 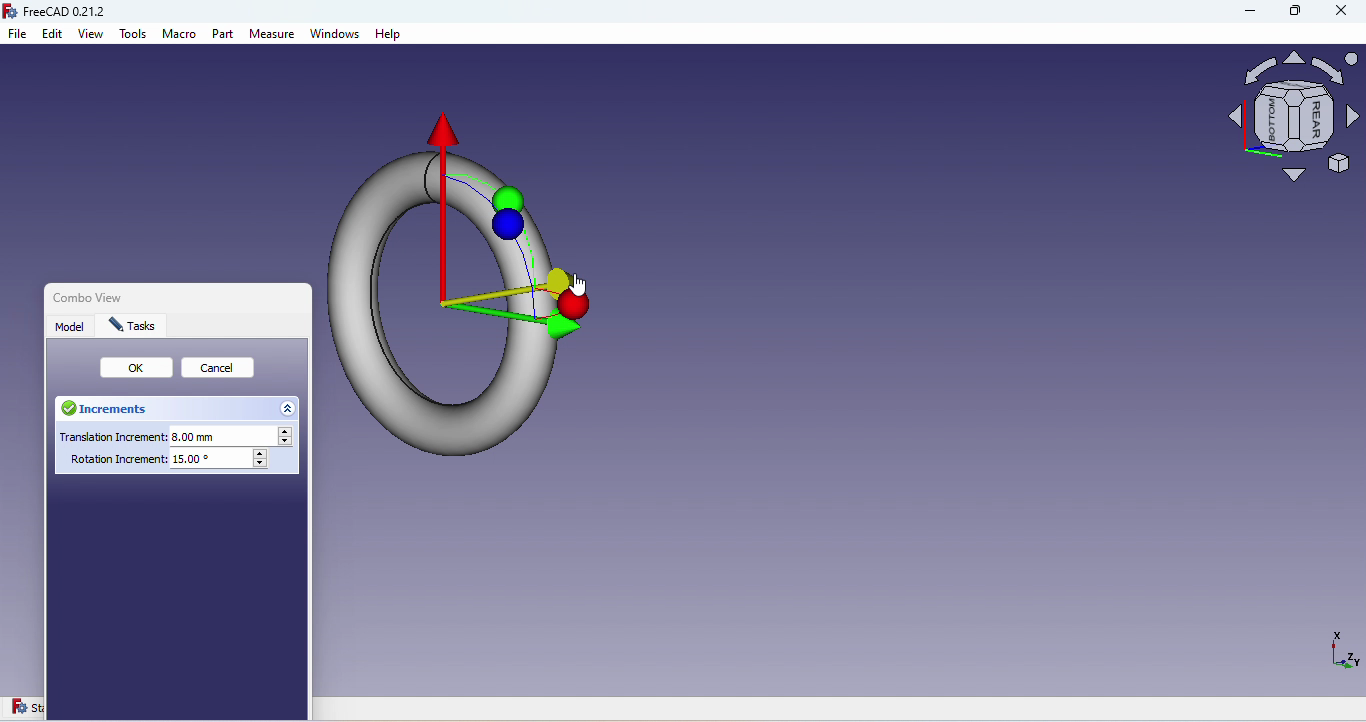 What do you see at coordinates (288, 432) in the screenshot?
I see `Increase translation increment` at bounding box center [288, 432].